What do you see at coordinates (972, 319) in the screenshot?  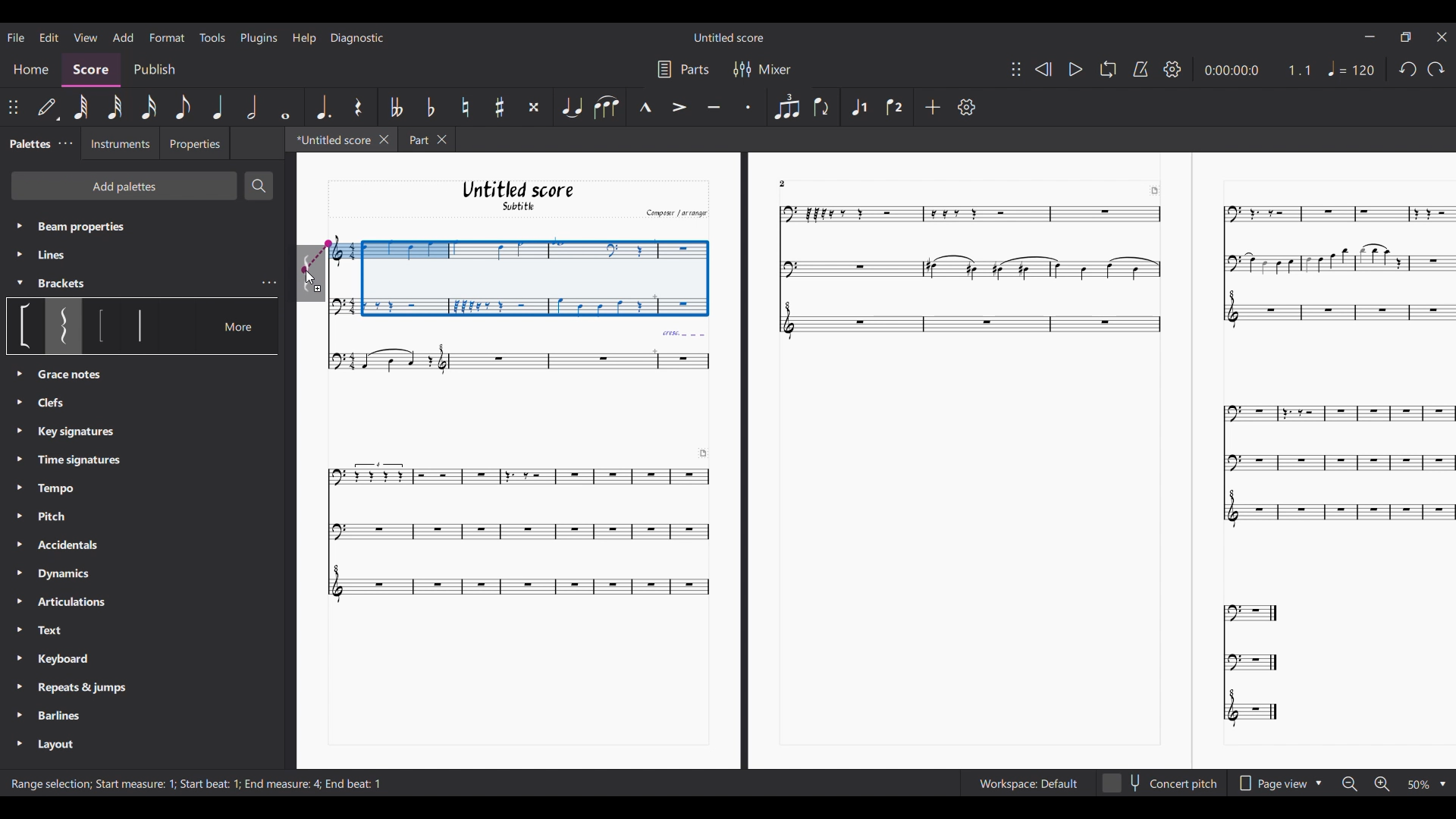 I see `` at bounding box center [972, 319].